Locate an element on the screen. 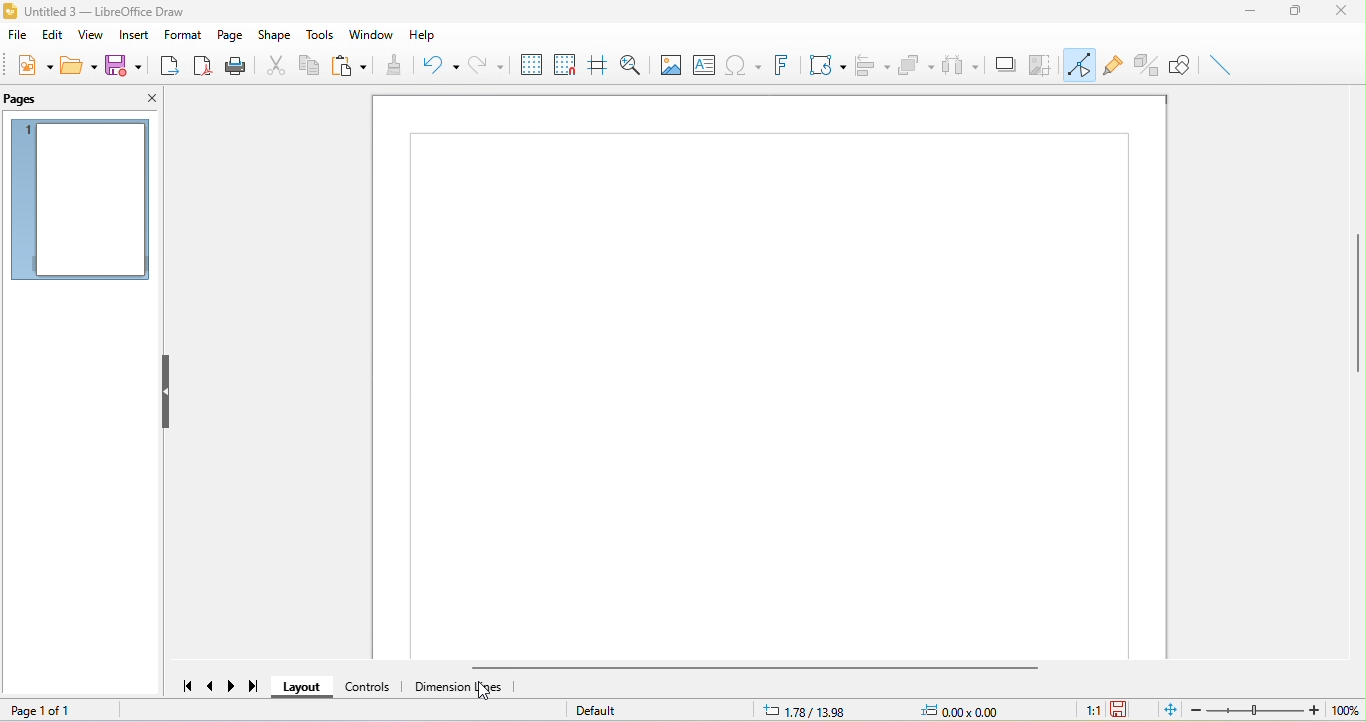  insert line is located at coordinates (1224, 65).